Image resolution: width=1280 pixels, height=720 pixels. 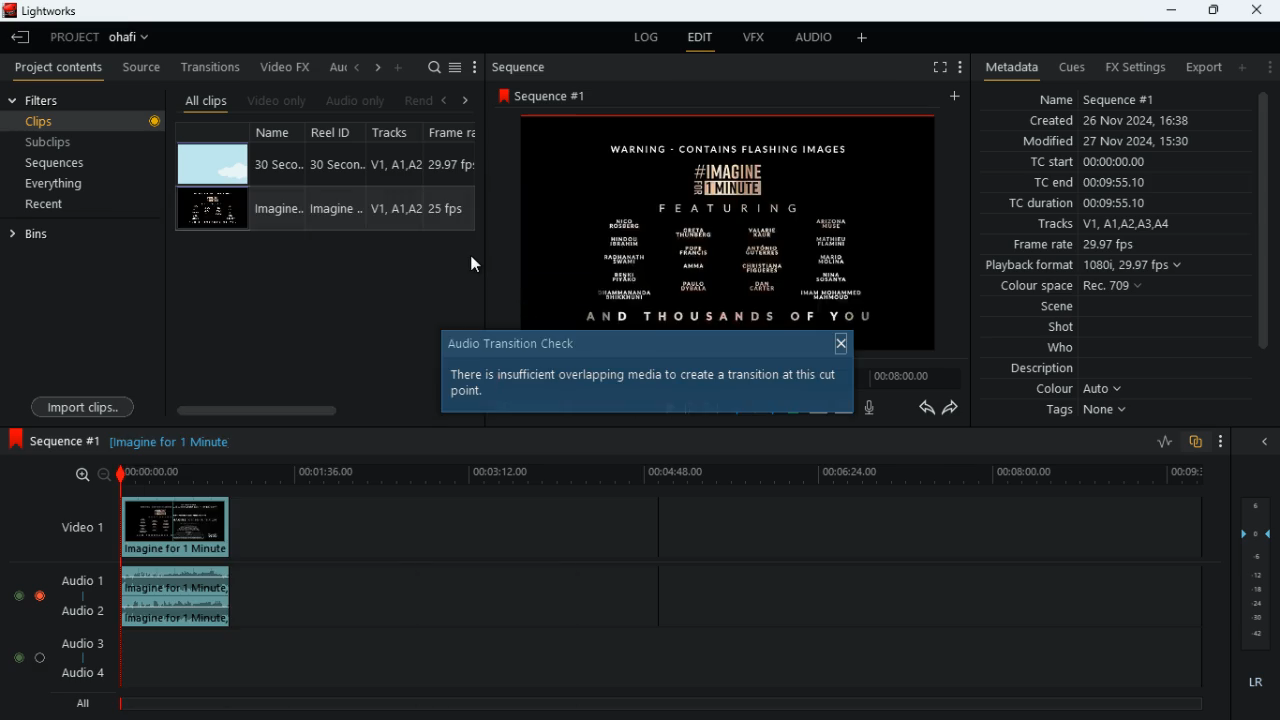 What do you see at coordinates (14, 657) in the screenshot?
I see `toggle` at bounding box center [14, 657].